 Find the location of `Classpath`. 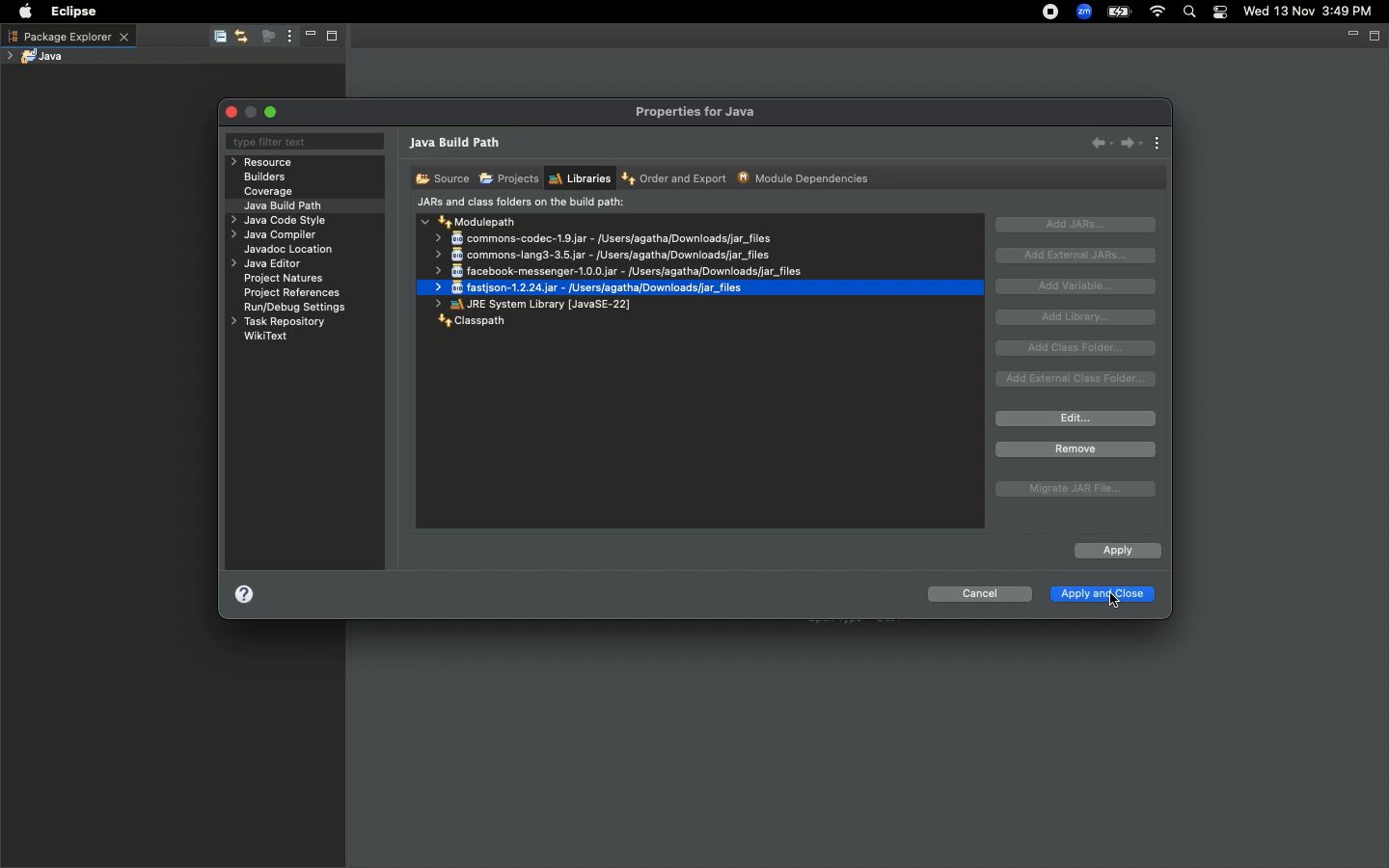

Classpath is located at coordinates (472, 321).